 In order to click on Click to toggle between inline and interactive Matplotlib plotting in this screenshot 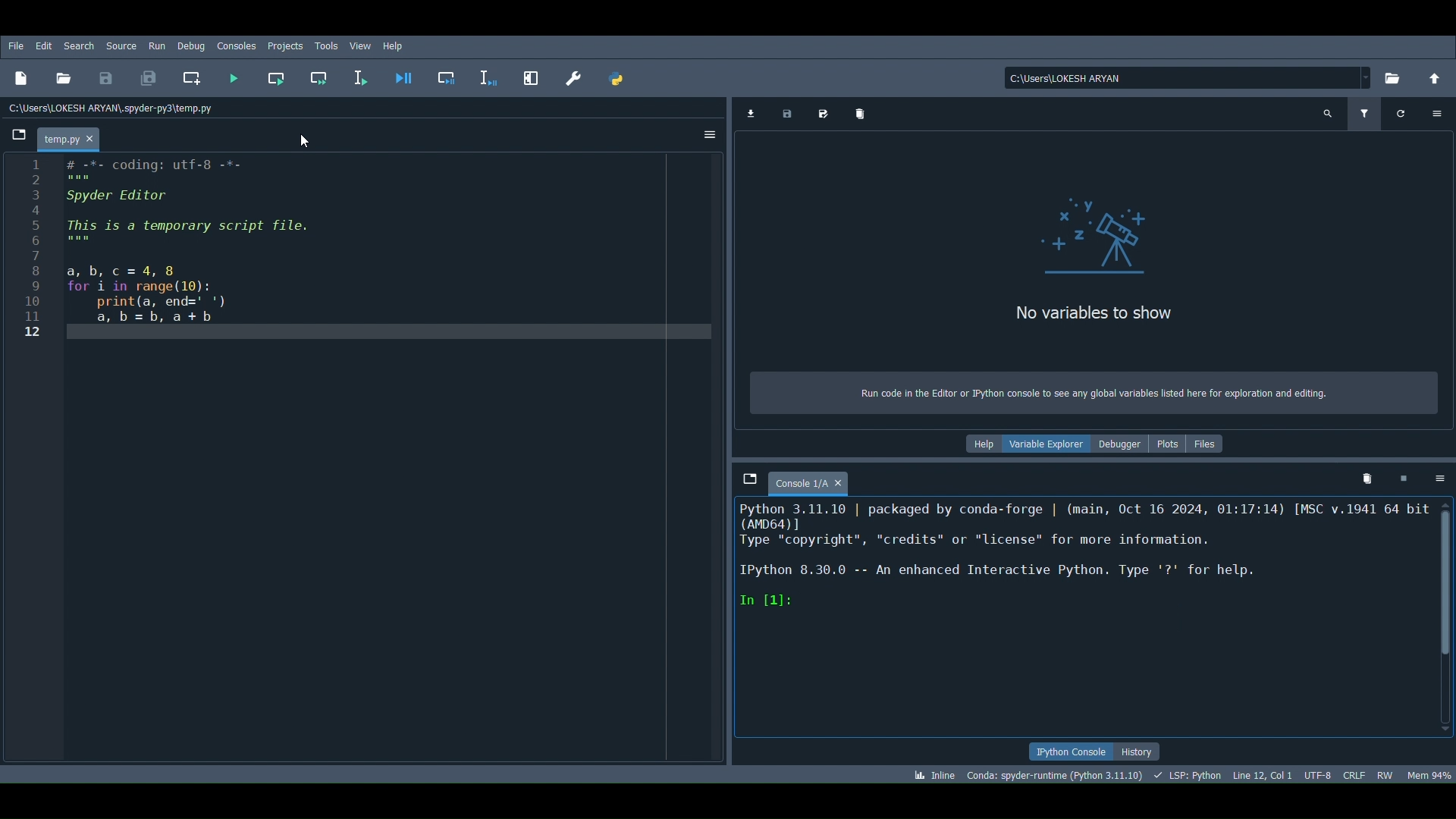, I will do `click(932, 773)`.